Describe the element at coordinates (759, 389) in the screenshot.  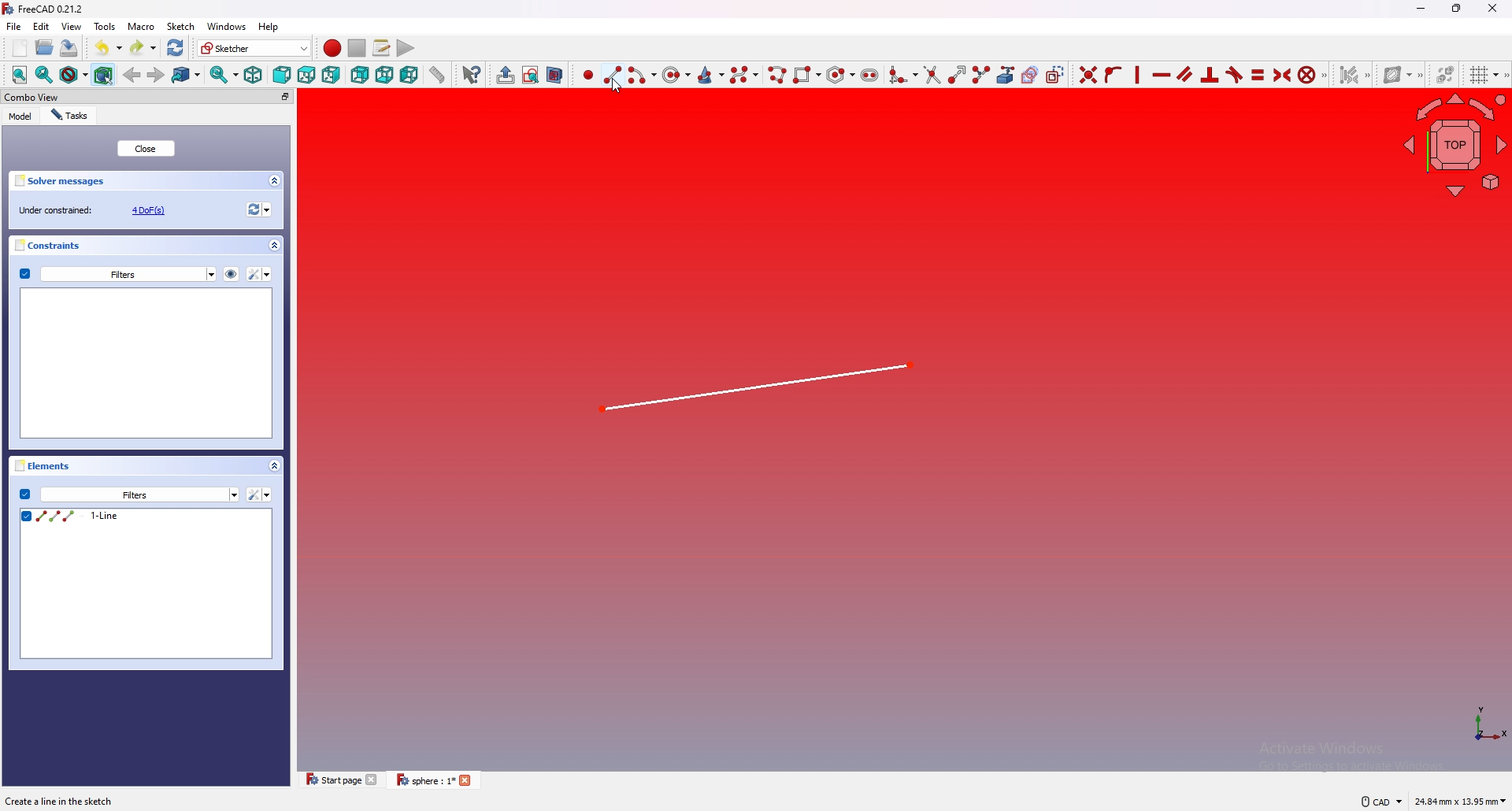
I see `Line` at that location.